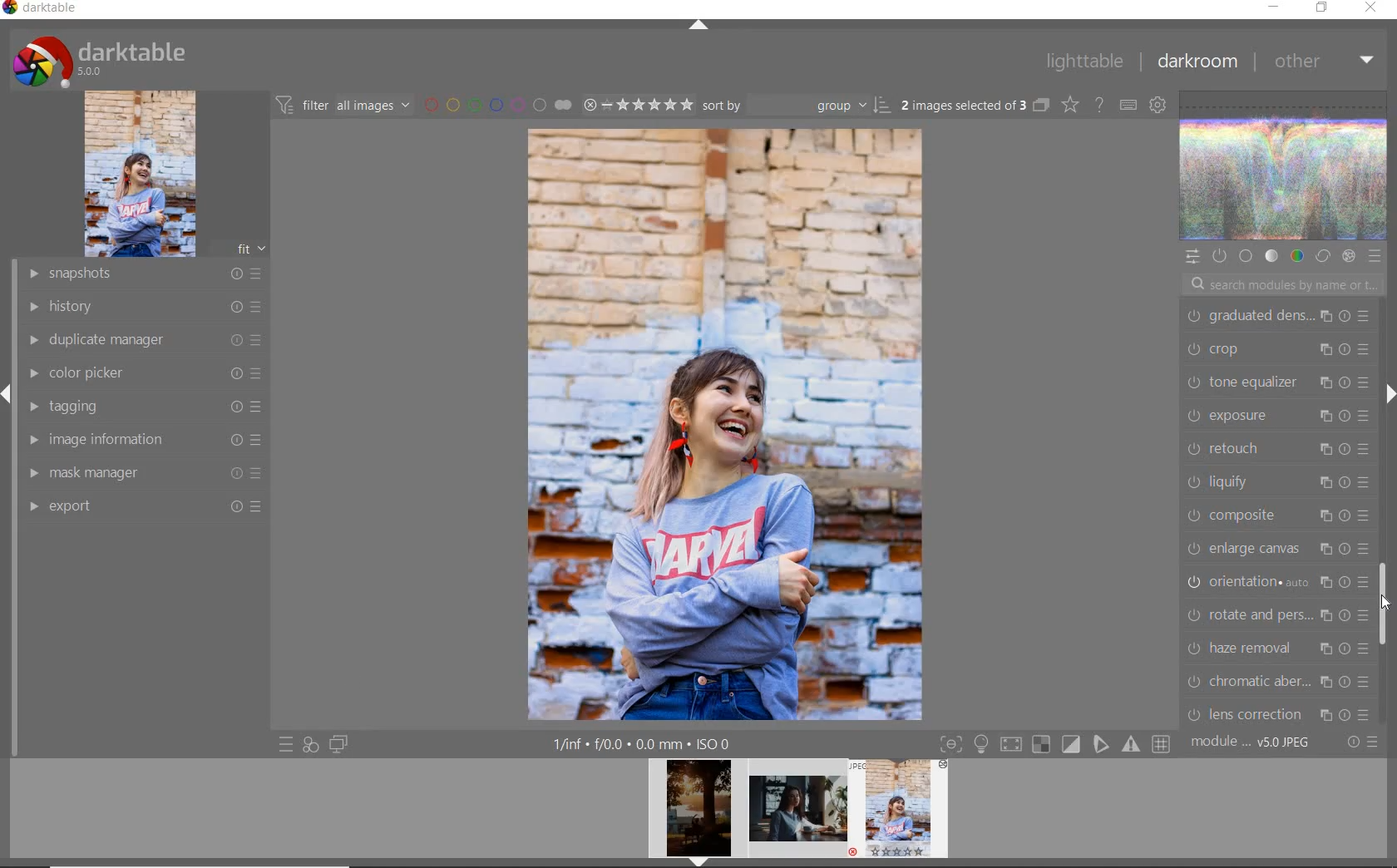 The height and width of the screenshot is (868, 1397). Describe the element at coordinates (1277, 515) in the screenshot. I see `composite` at that location.